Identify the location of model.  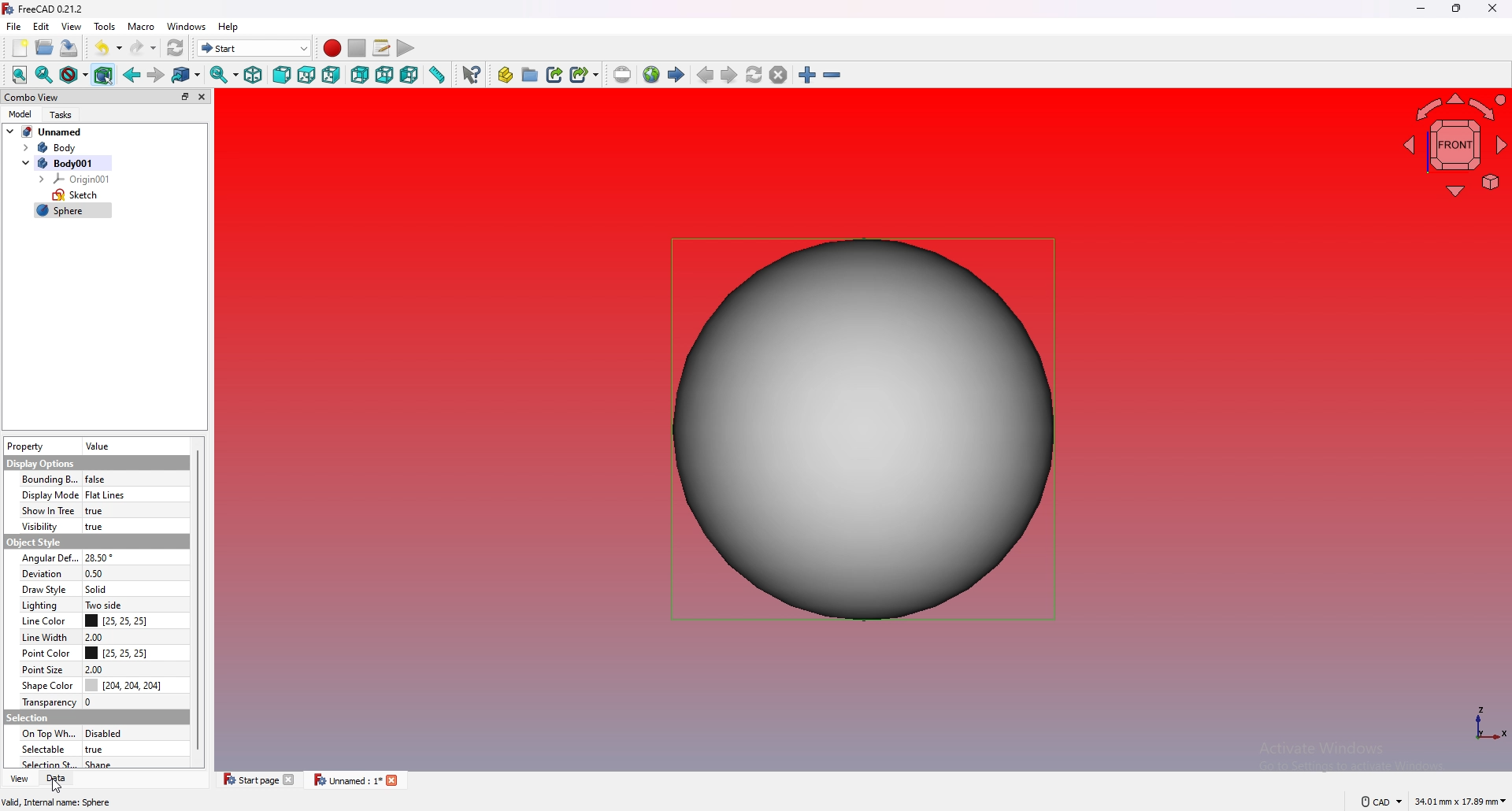
(19, 113).